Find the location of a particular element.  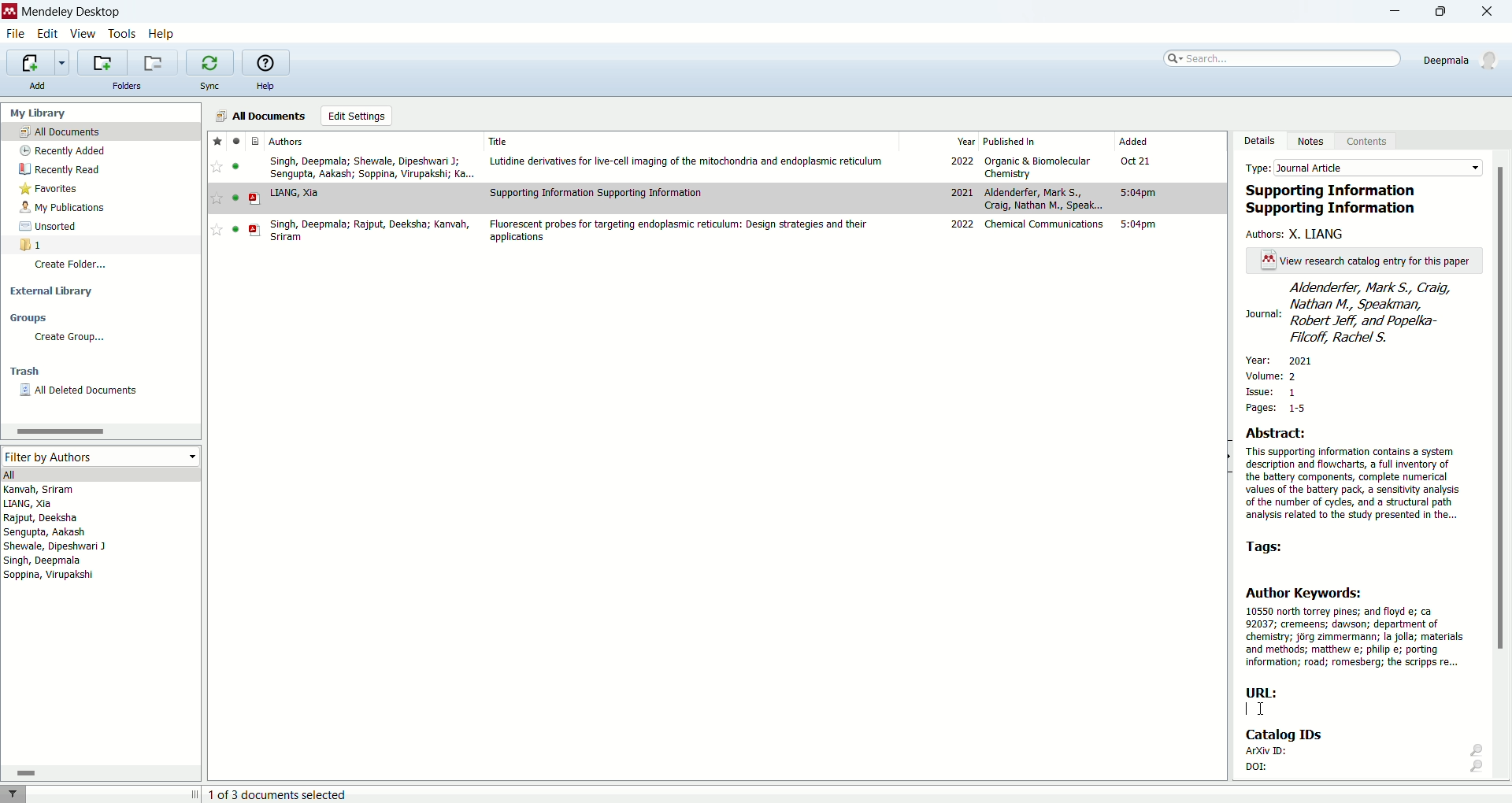

issue: 1 is located at coordinates (1273, 392).